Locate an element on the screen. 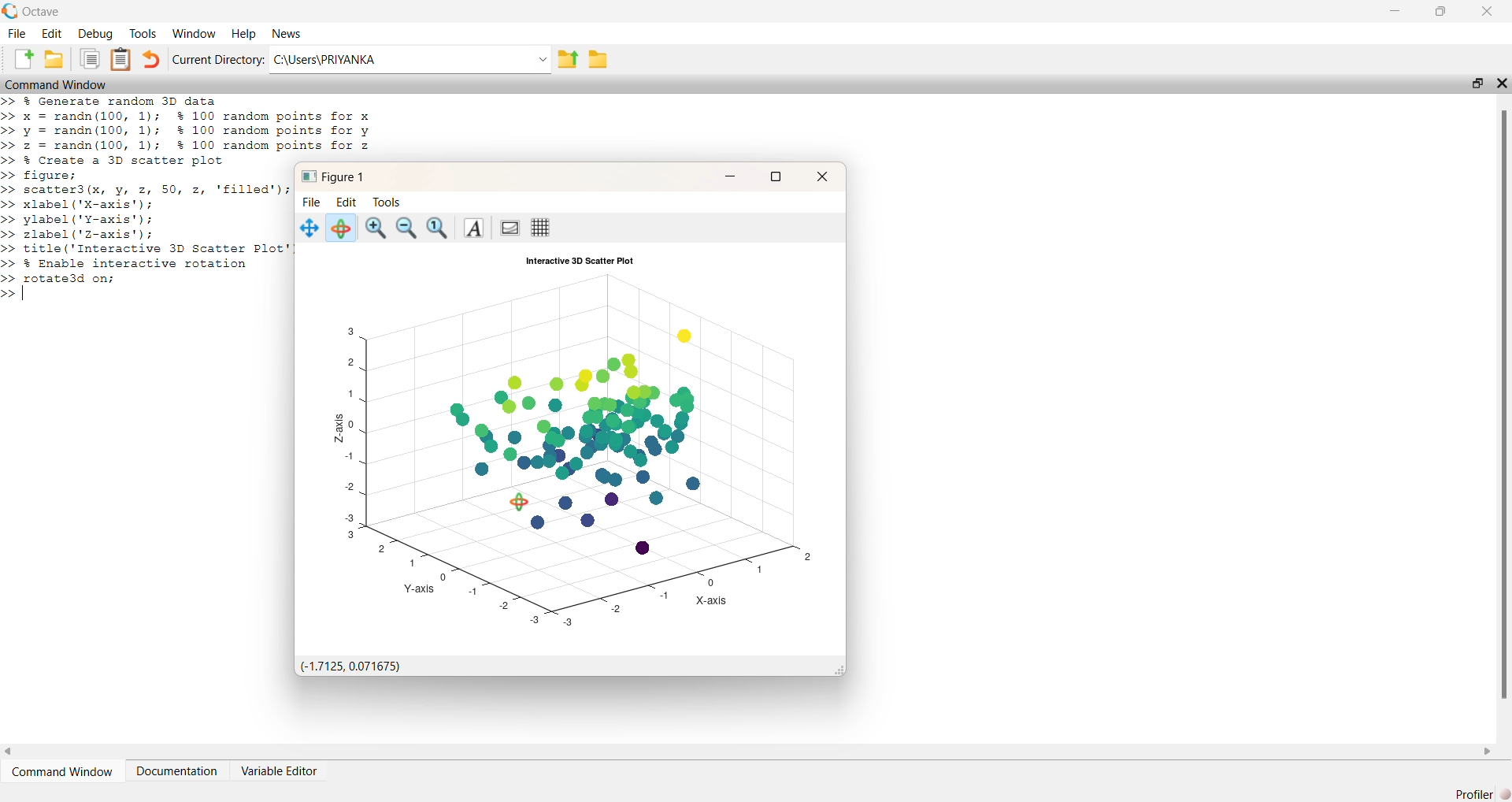  Help is located at coordinates (245, 34).